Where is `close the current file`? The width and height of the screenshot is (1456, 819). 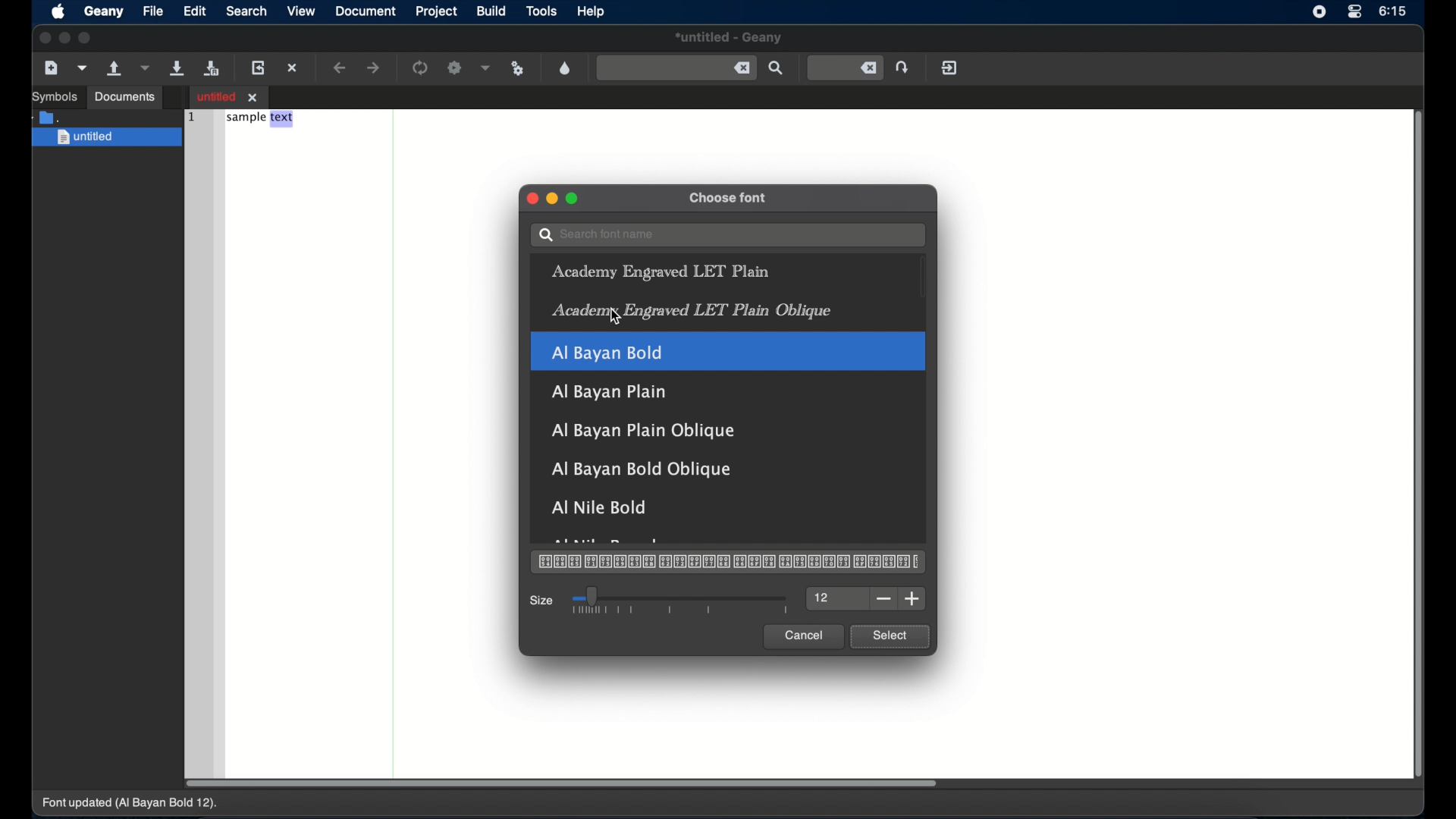
close the current file is located at coordinates (293, 69).